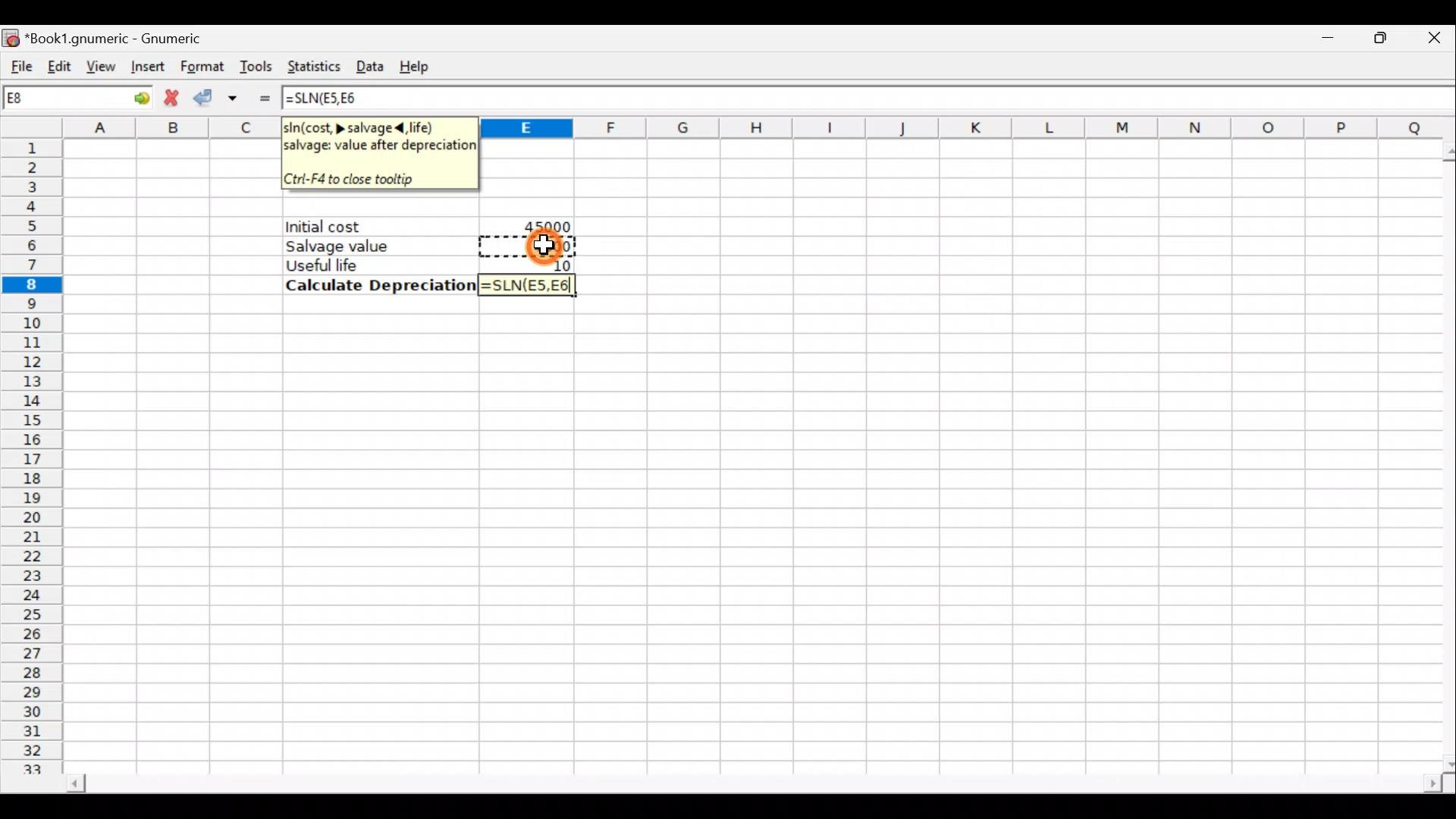 Image resolution: width=1456 pixels, height=819 pixels. Describe the element at coordinates (379, 152) in the screenshot. I see `sln(>cost>salvage< life)salvage: value after depreciation. Ctrl+F4 to close tooltip` at that location.